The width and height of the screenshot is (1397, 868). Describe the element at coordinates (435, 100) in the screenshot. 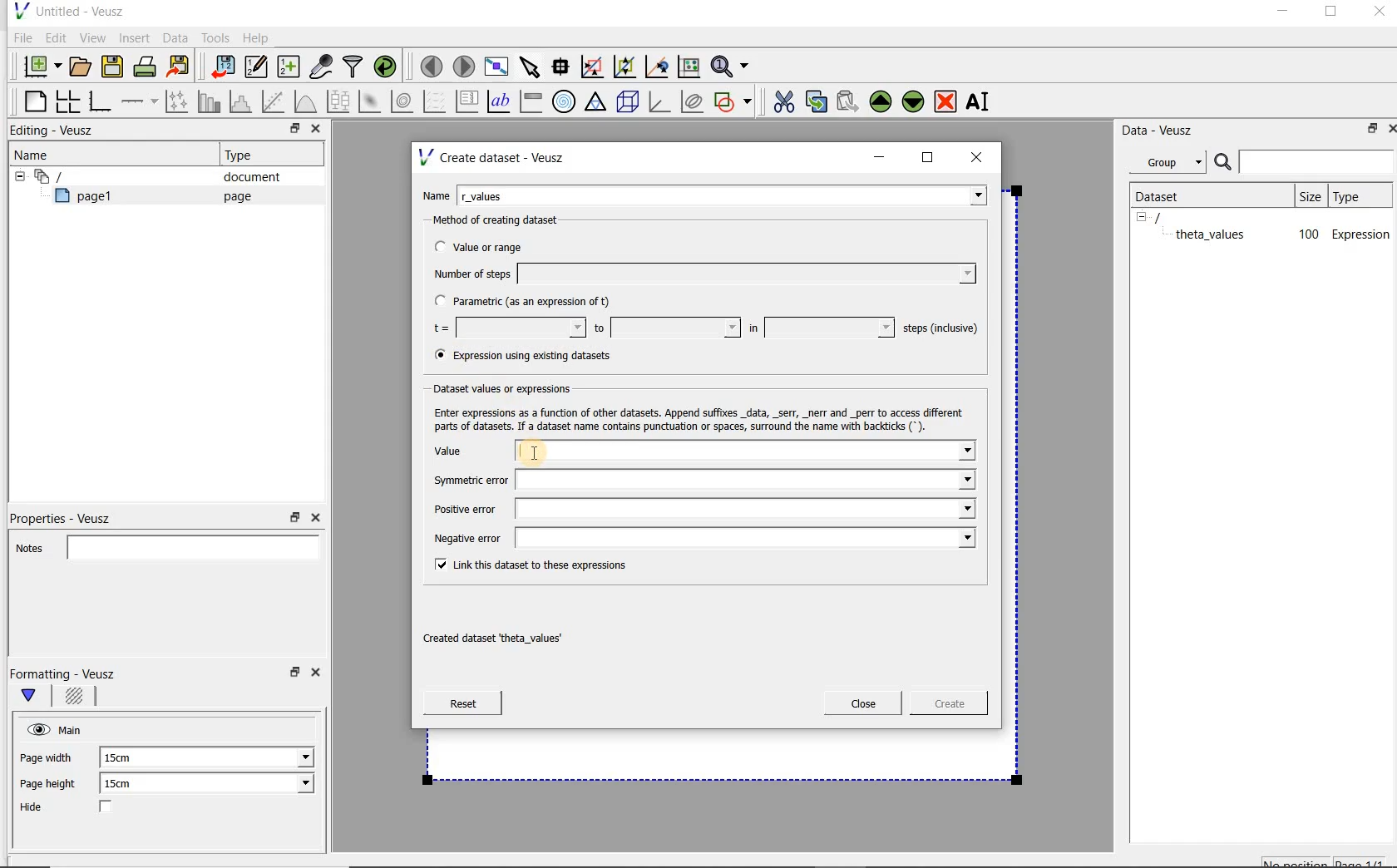

I see `plot a vector field` at that location.